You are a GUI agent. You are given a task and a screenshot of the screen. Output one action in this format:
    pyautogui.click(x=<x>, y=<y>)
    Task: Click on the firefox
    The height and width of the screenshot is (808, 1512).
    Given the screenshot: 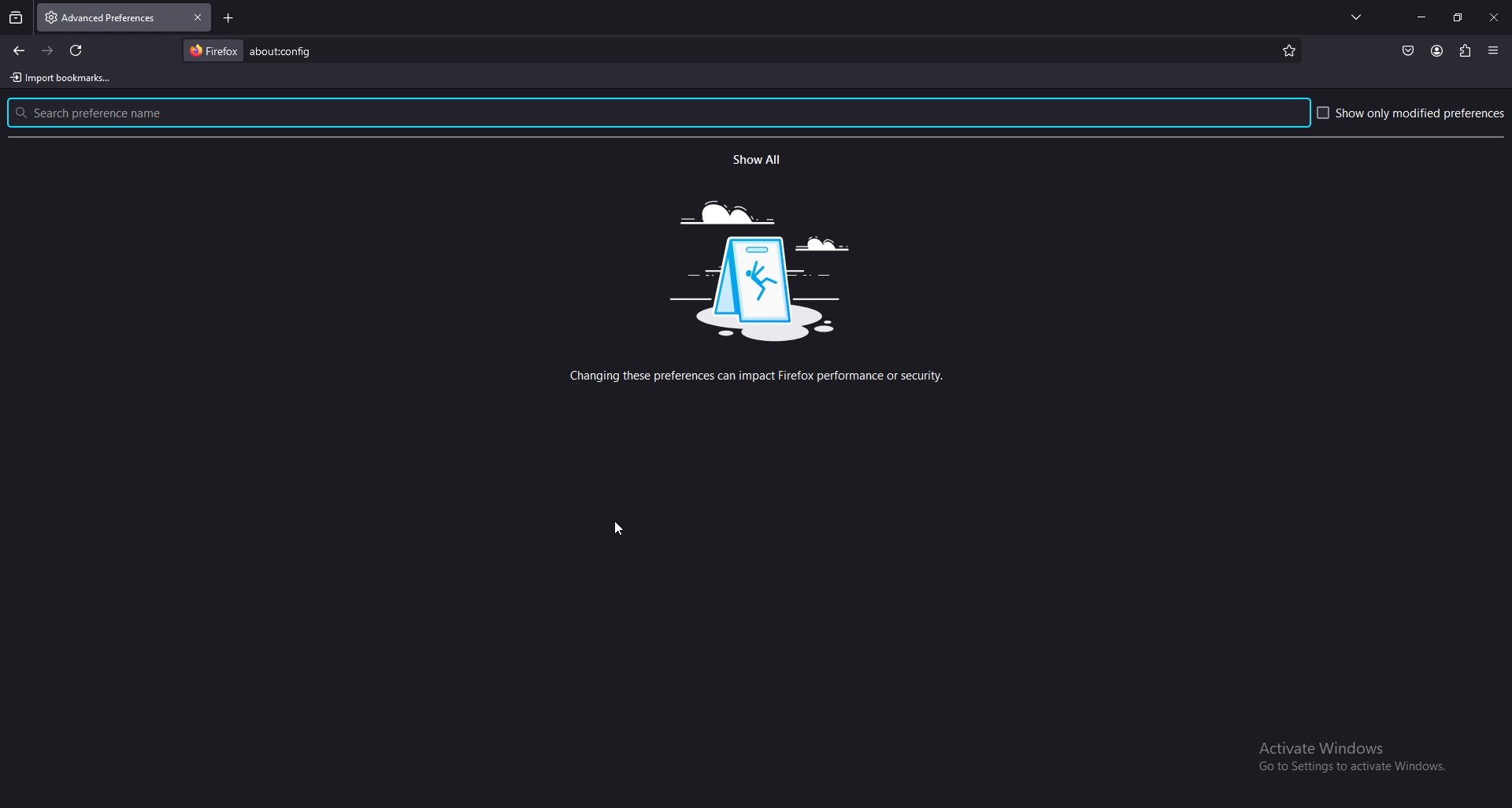 What is the action you would take?
    pyautogui.click(x=213, y=50)
    